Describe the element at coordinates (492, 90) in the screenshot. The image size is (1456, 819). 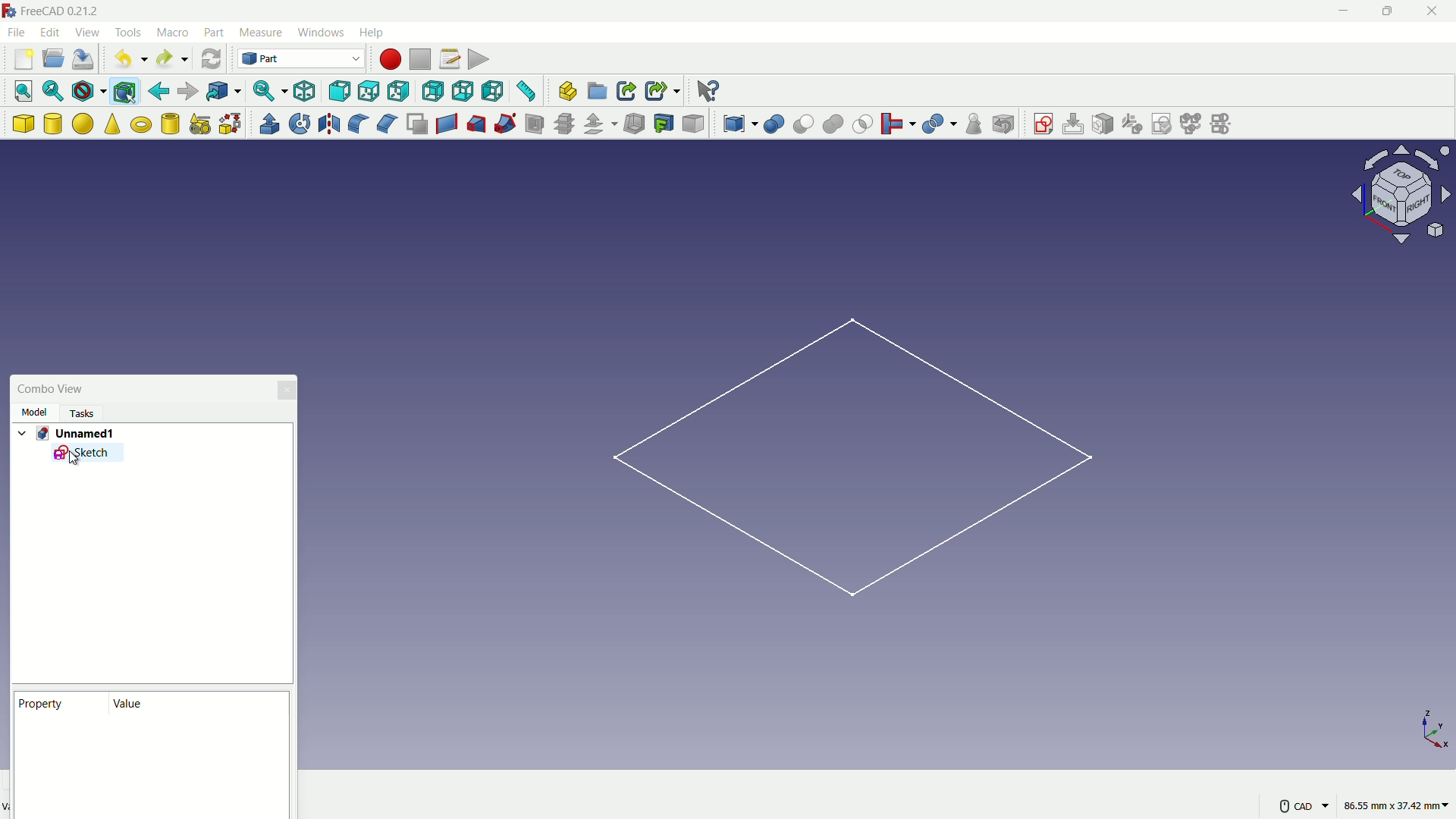
I see `left view` at that location.